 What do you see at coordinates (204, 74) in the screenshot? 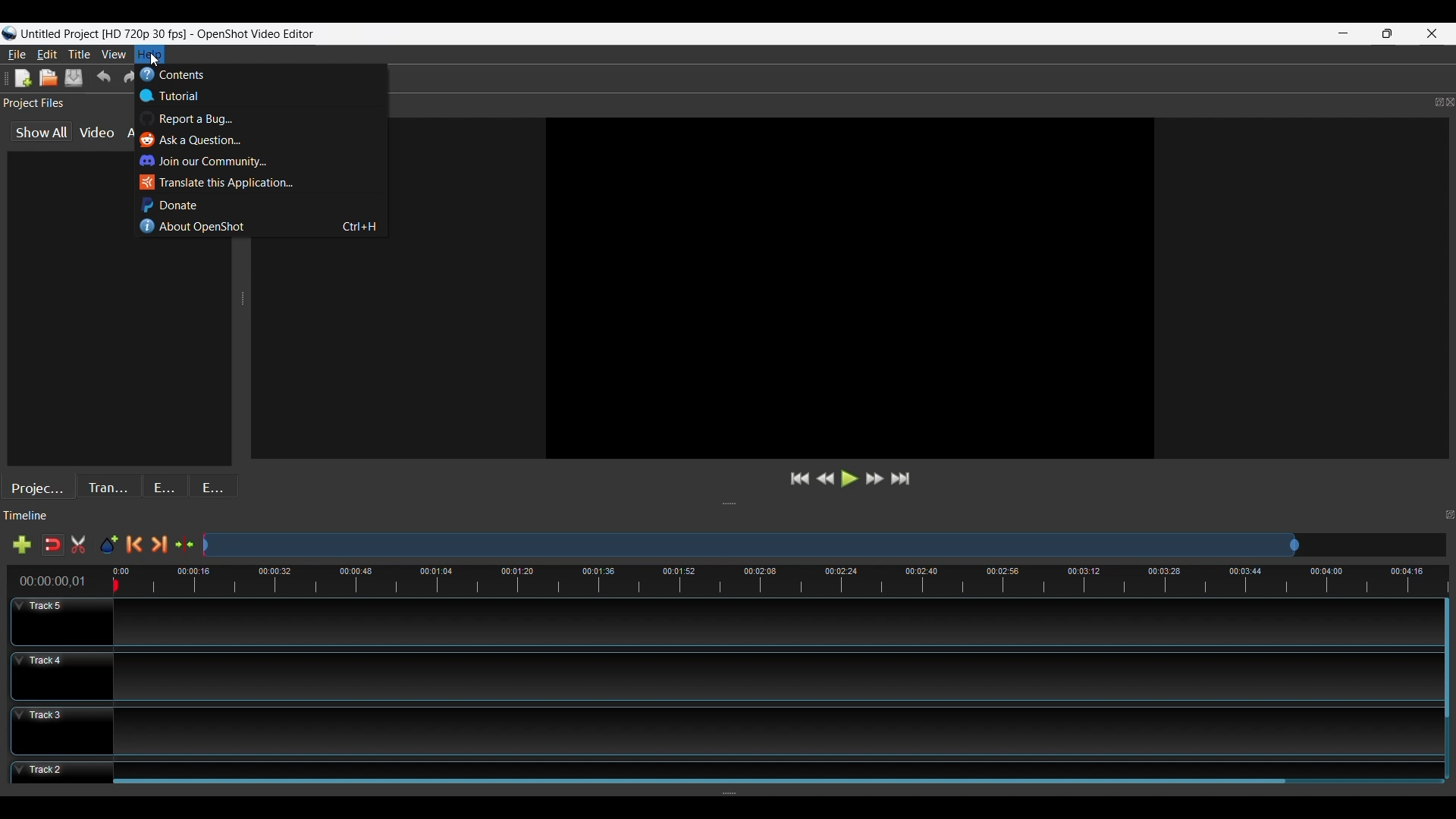
I see `Content` at bounding box center [204, 74].